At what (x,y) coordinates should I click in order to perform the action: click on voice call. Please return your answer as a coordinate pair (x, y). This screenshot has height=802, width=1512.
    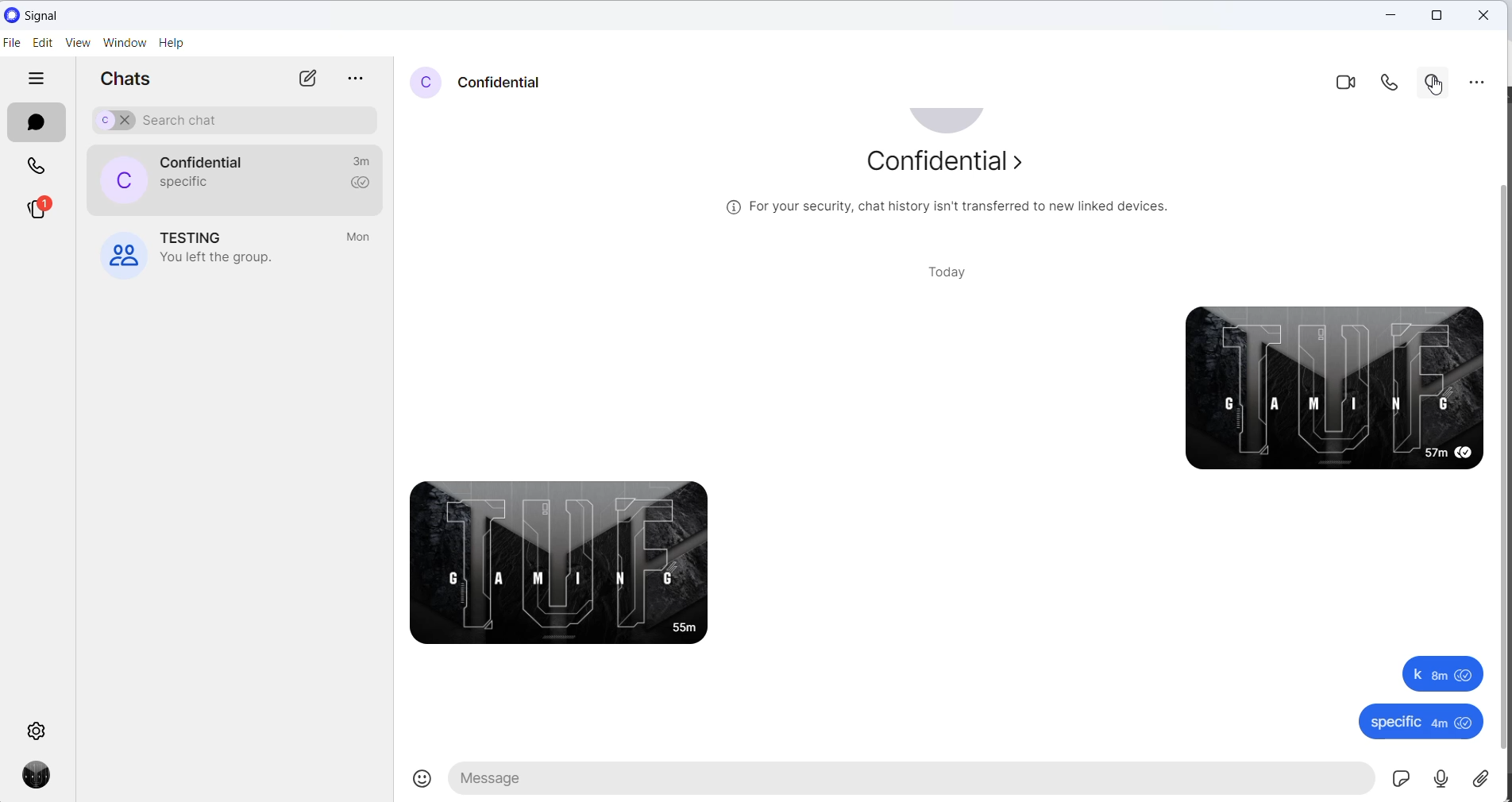
    Looking at the image, I should click on (1397, 83).